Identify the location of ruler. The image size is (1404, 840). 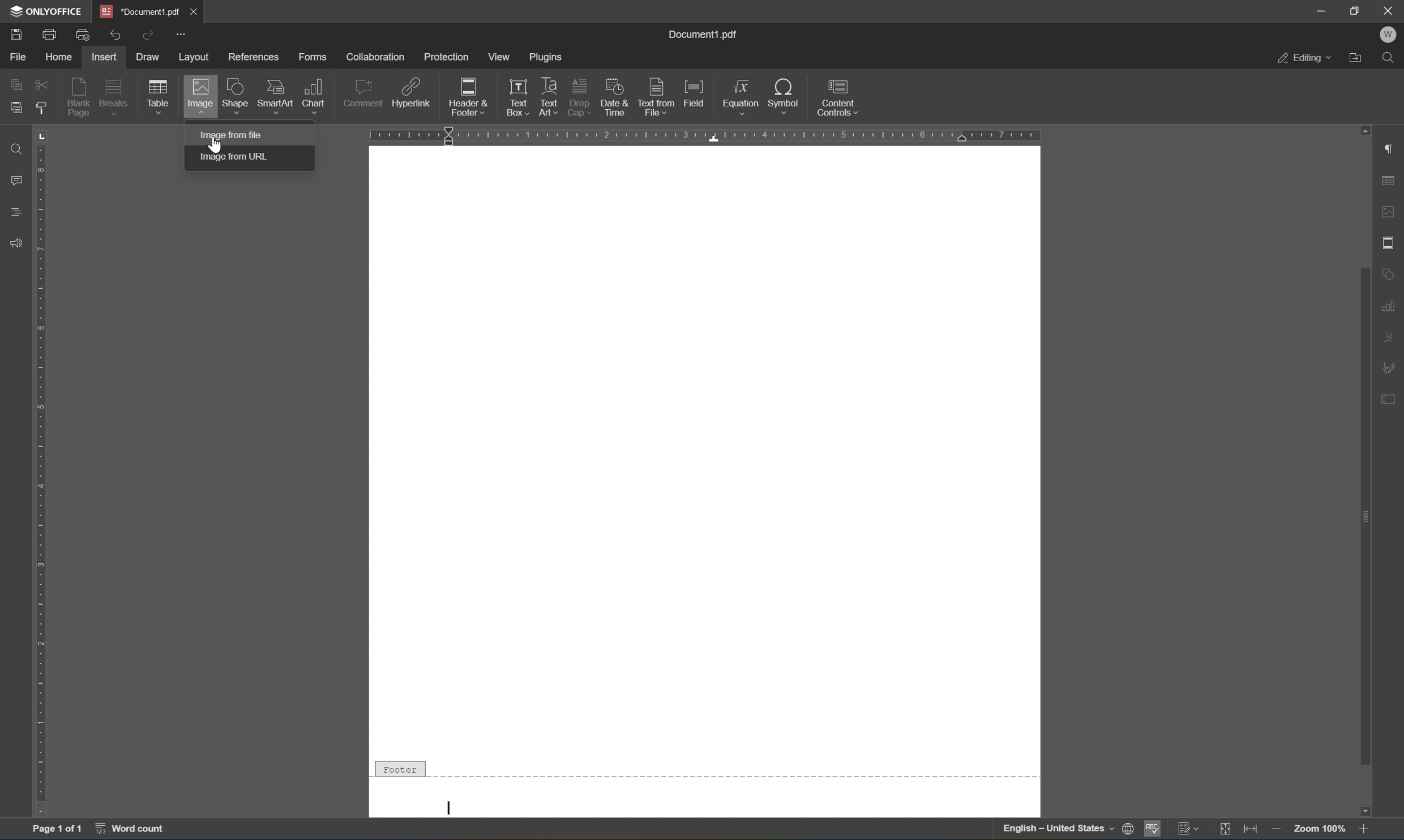
(709, 136).